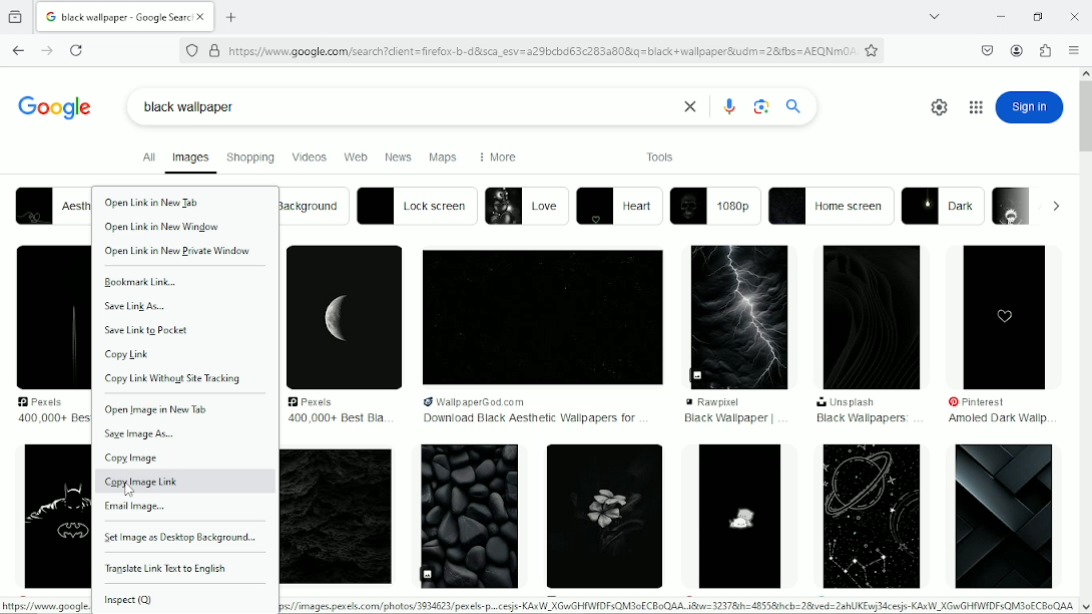  Describe the element at coordinates (1039, 16) in the screenshot. I see `restore down` at that location.